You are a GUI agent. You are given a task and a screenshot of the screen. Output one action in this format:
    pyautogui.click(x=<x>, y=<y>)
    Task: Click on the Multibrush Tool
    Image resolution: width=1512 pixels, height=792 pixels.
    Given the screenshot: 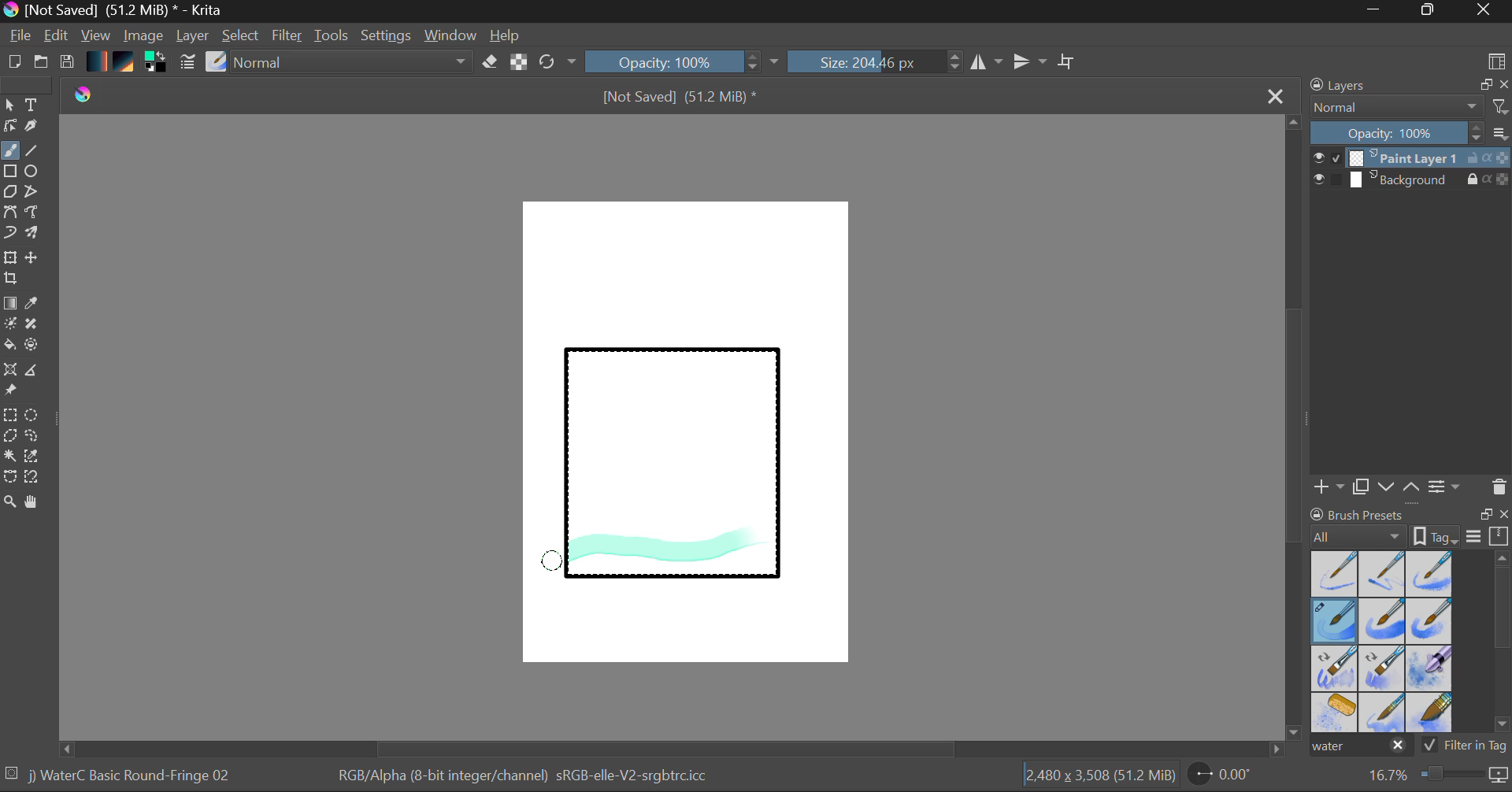 What is the action you would take?
    pyautogui.click(x=33, y=235)
    